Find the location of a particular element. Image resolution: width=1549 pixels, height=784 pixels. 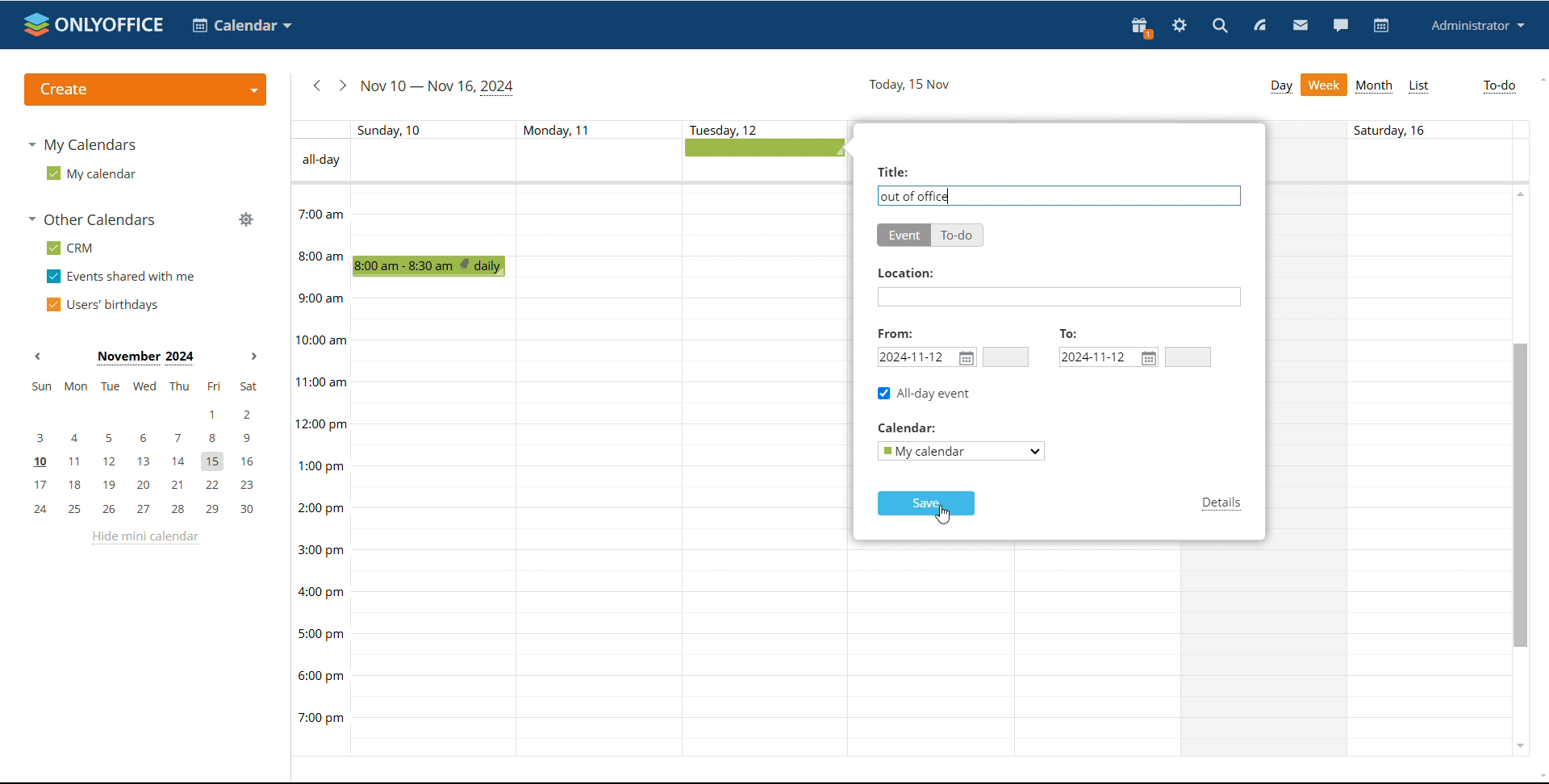

individual day is located at coordinates (399, 129).